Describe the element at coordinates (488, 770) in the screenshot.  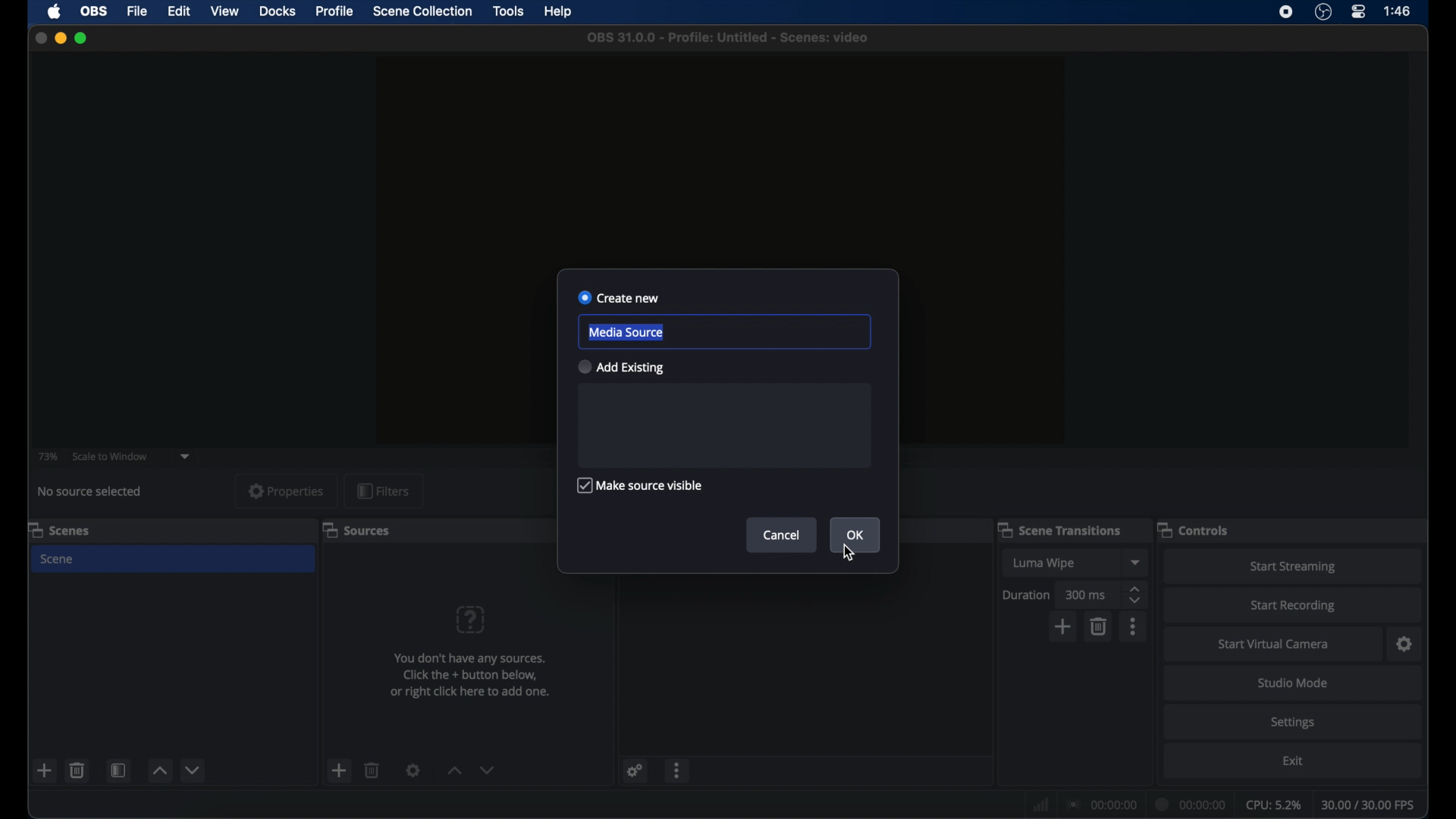
I see `decrement` at that location.